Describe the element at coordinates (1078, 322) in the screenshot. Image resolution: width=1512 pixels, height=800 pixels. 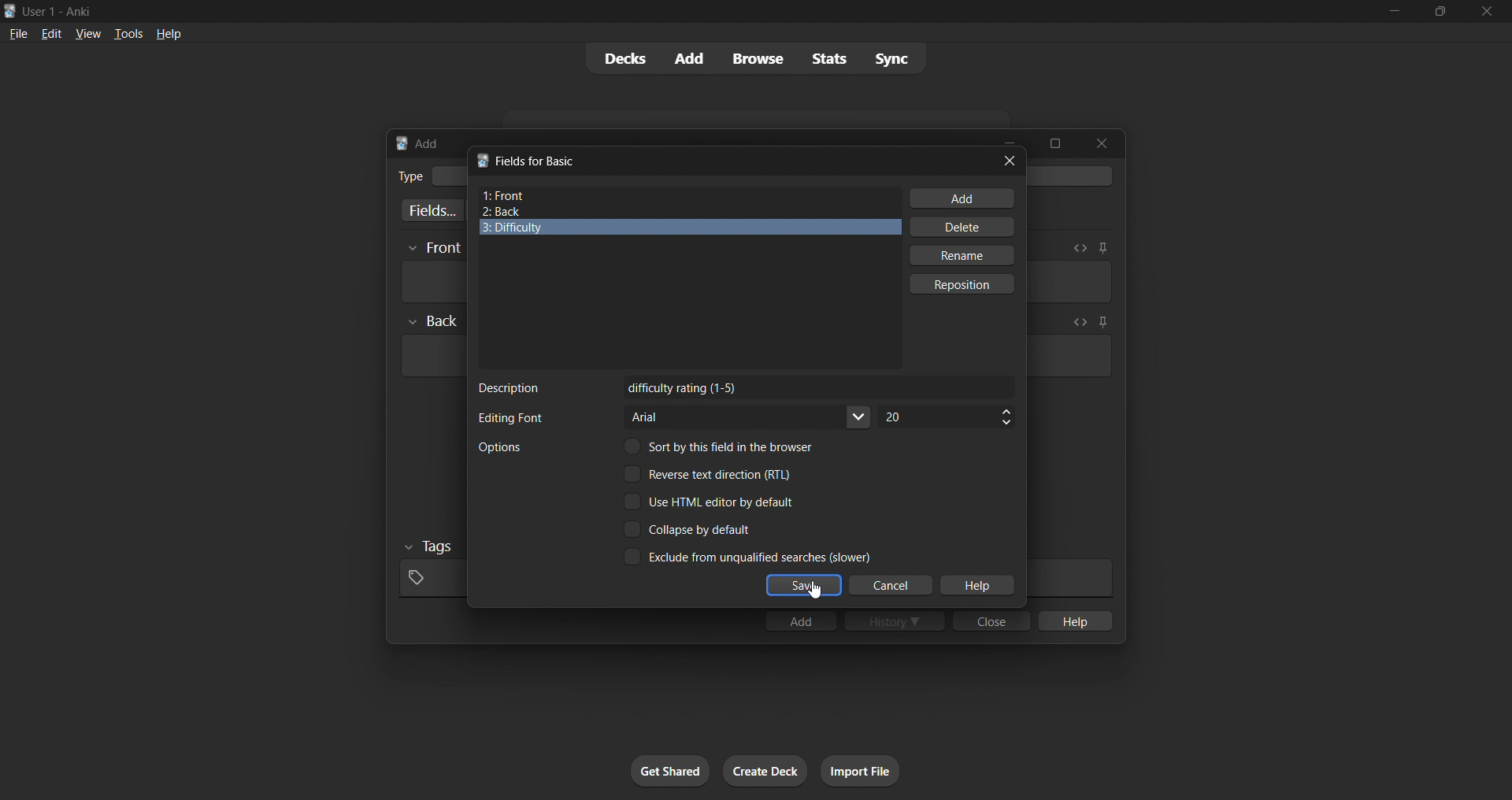
I see `Toggle HTML editor` at that location.